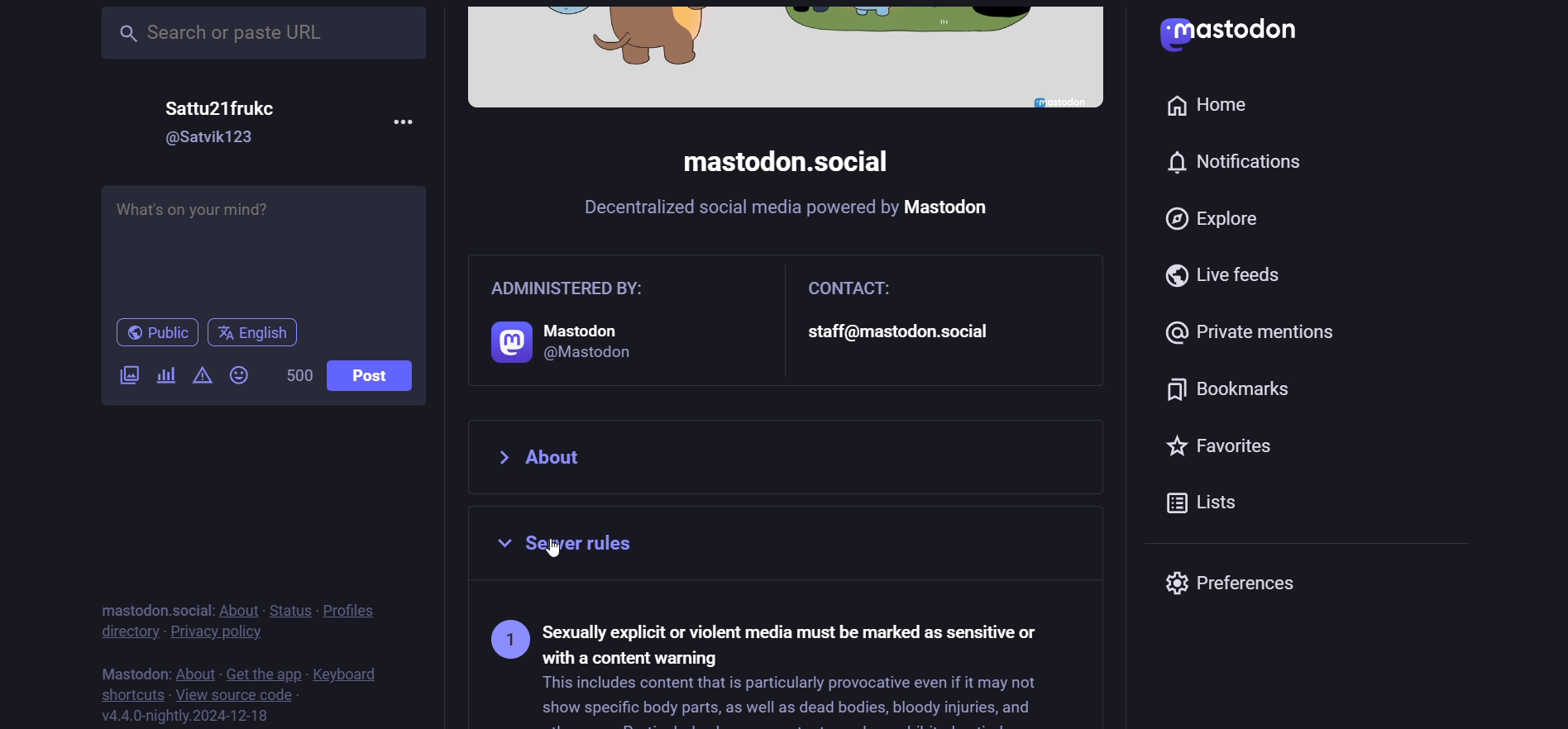  What do you see at coordinates (1231, 450) in the screenshot?
I see `favorite` at bounding box center [1231, 450].